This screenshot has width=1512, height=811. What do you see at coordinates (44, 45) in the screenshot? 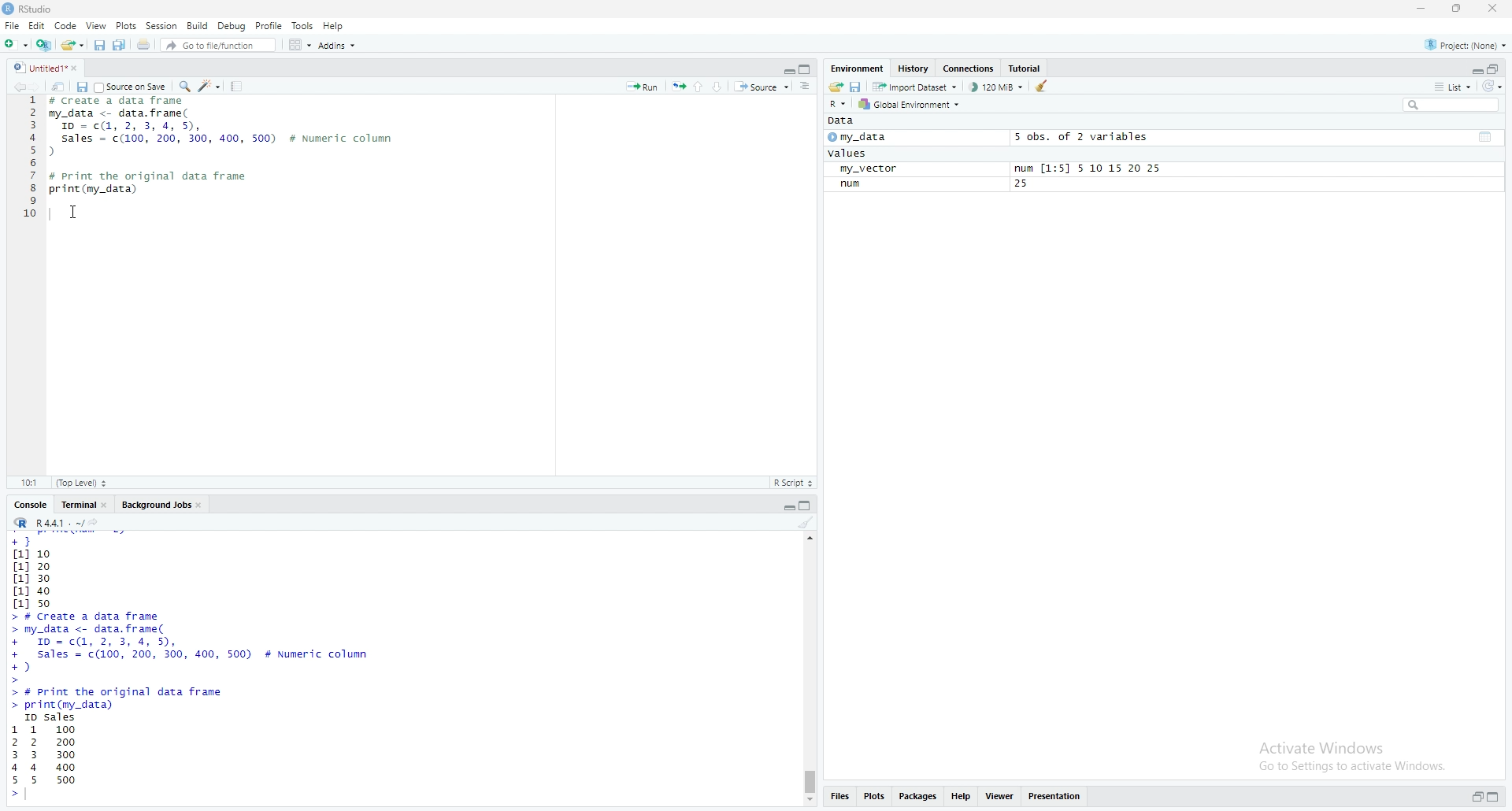
I see `create a project` at bounding box center [44, 45].